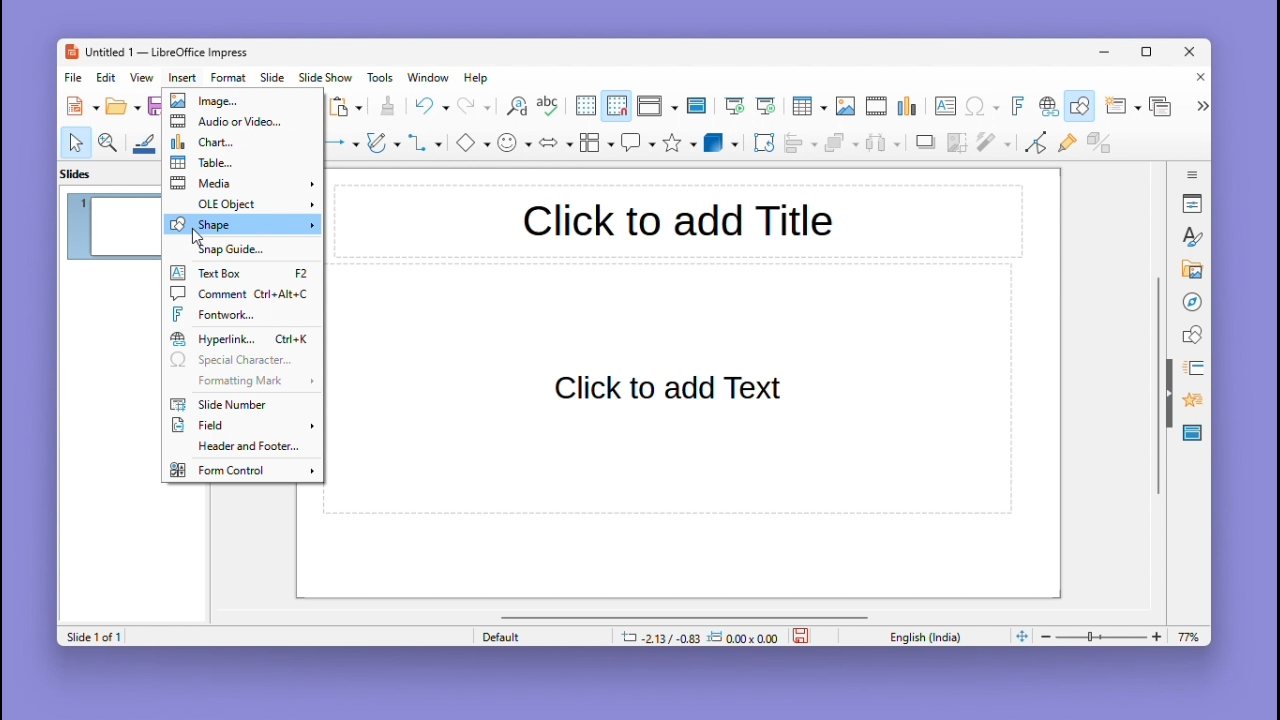  What do you see at coordinates (680, 143) in the screenshot?
I see `Star` at bounding box center [680, 143].